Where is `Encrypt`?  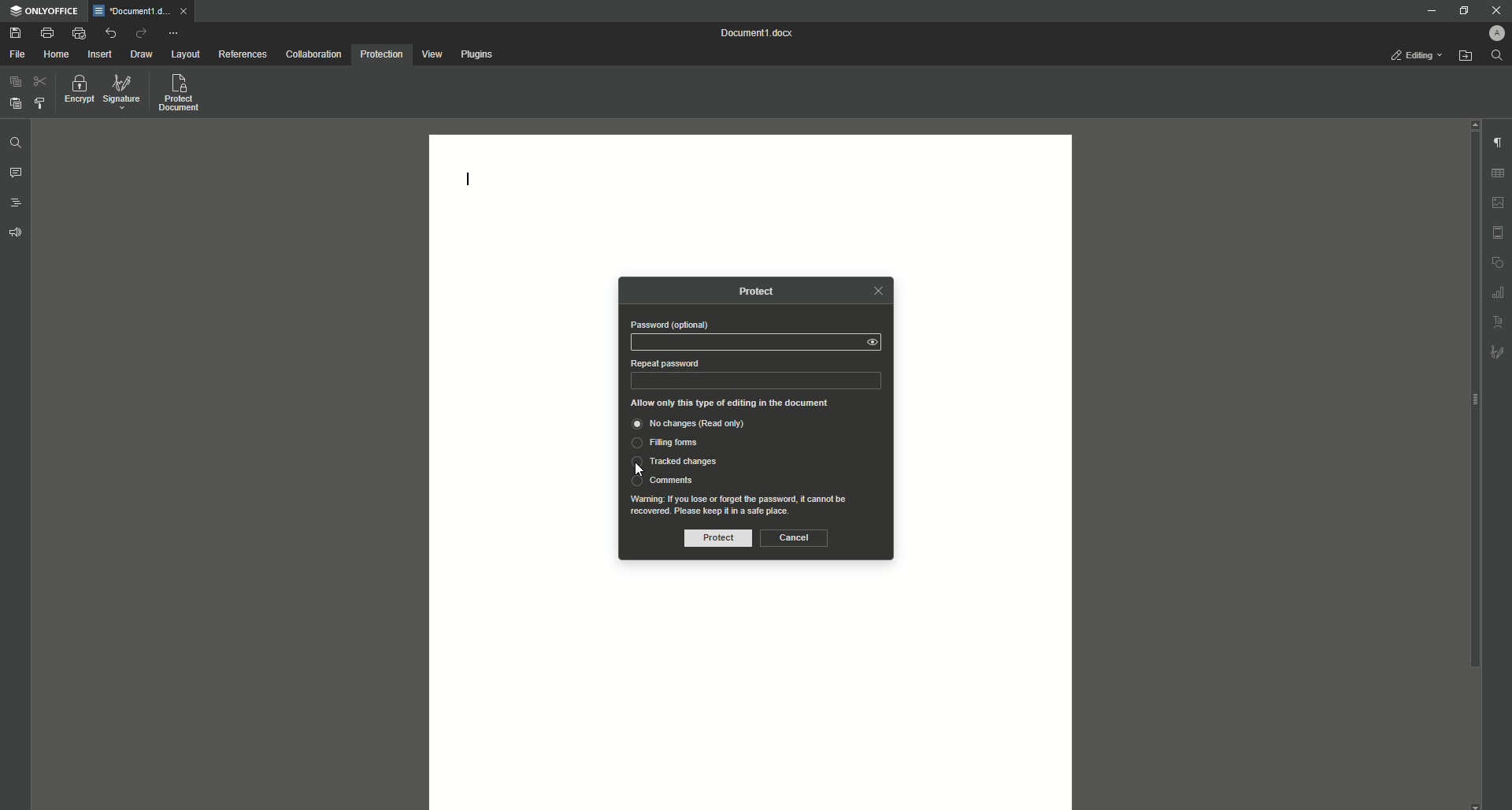 Encrypt is located at coordinates (76, 92).